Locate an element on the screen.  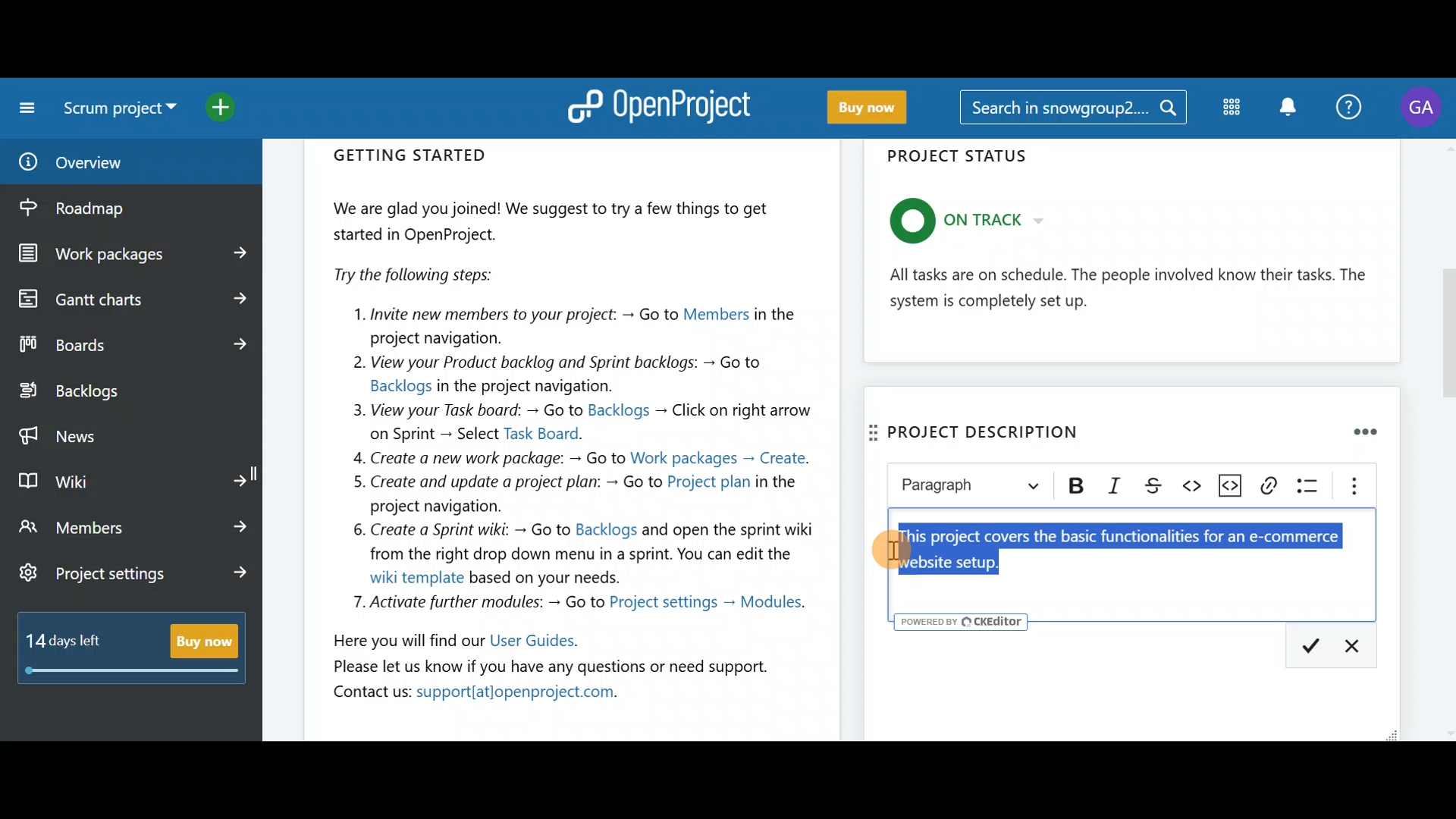
Roadmap is located at coordinates (105, 209).